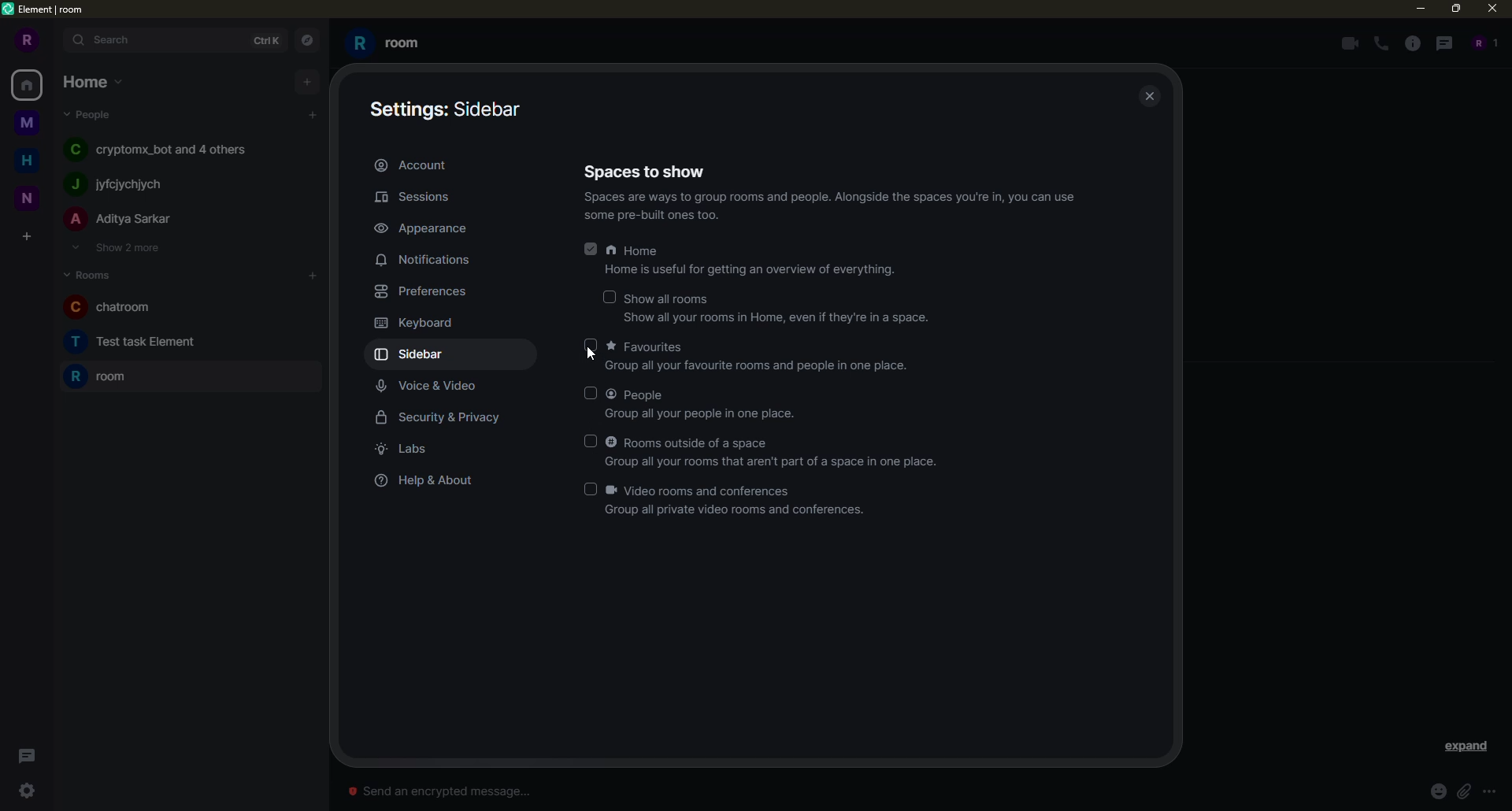  I want to click on expand, so click(54, 39).